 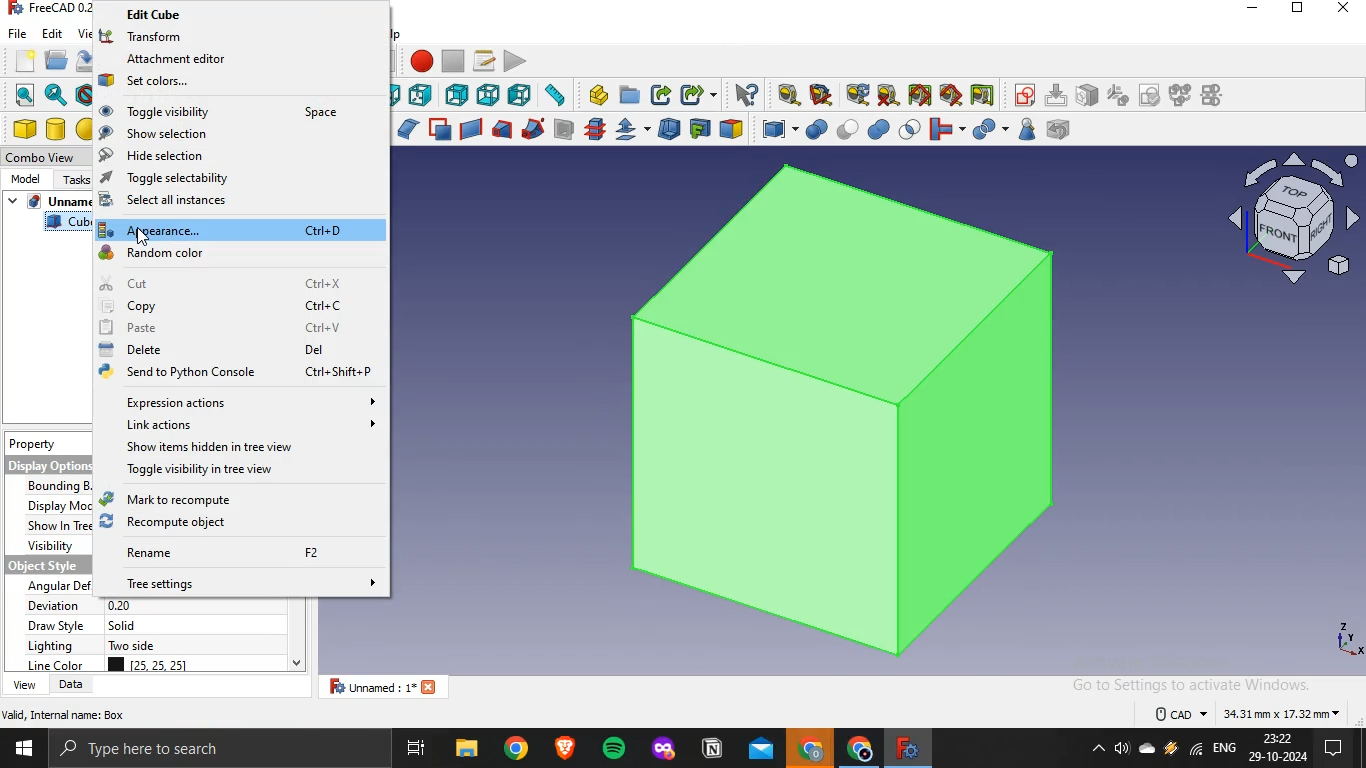 I want to click on hide selection, so click(x=228, y=155).